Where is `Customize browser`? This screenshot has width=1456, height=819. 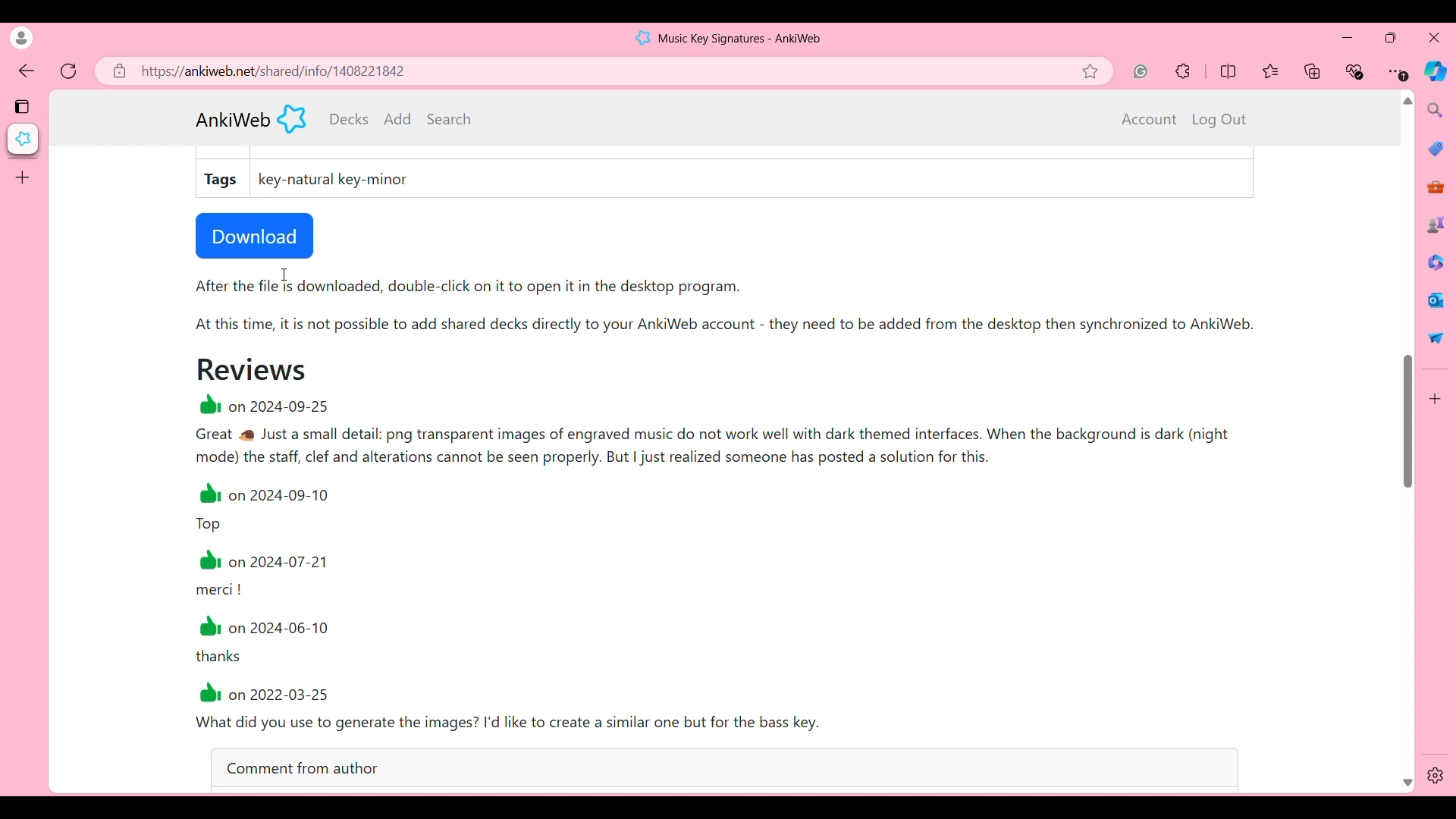 Customize browser is located at coordinates (1436, 399).